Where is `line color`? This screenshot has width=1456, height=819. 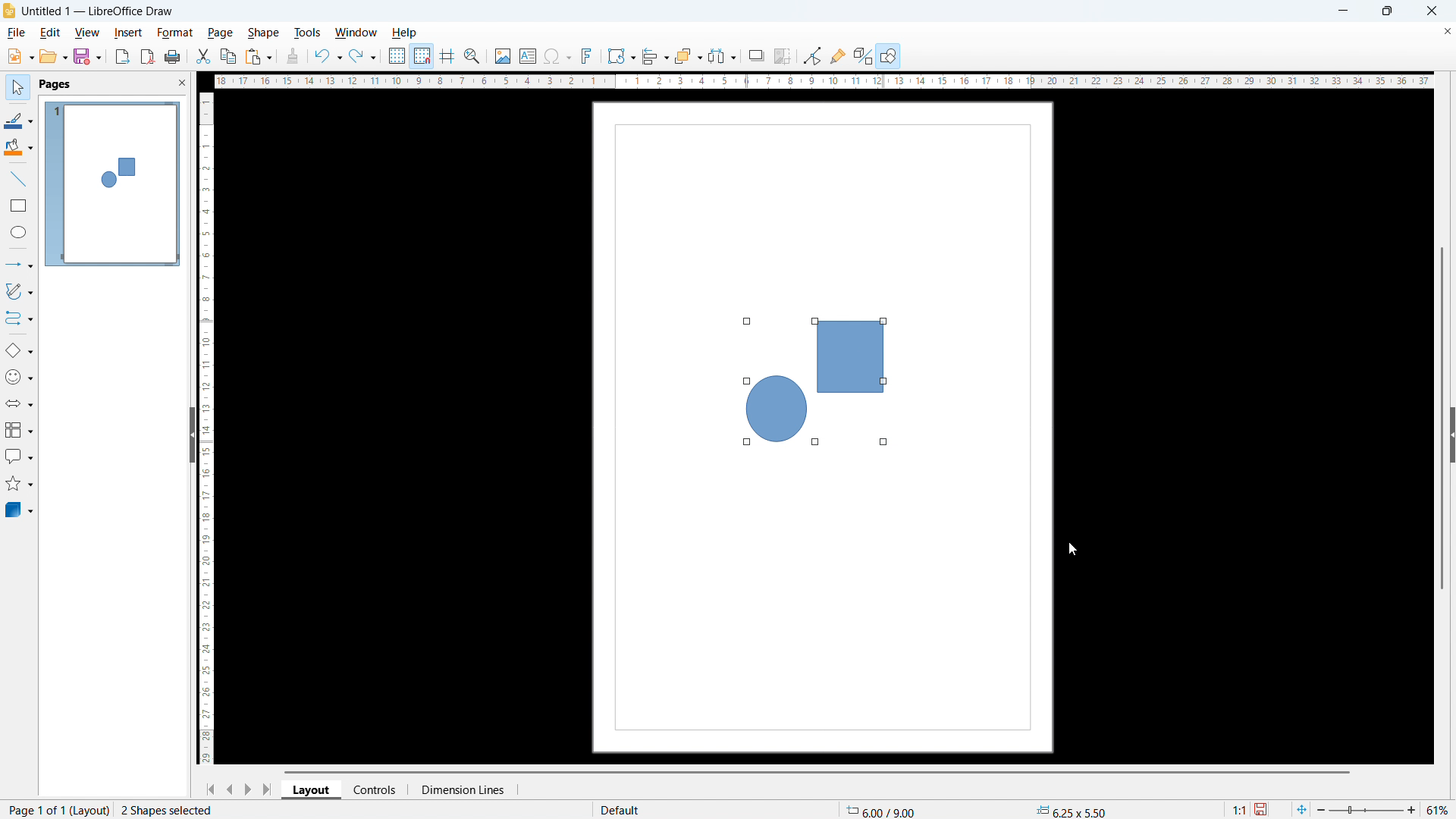
line color is located at coordinates (20, 121).